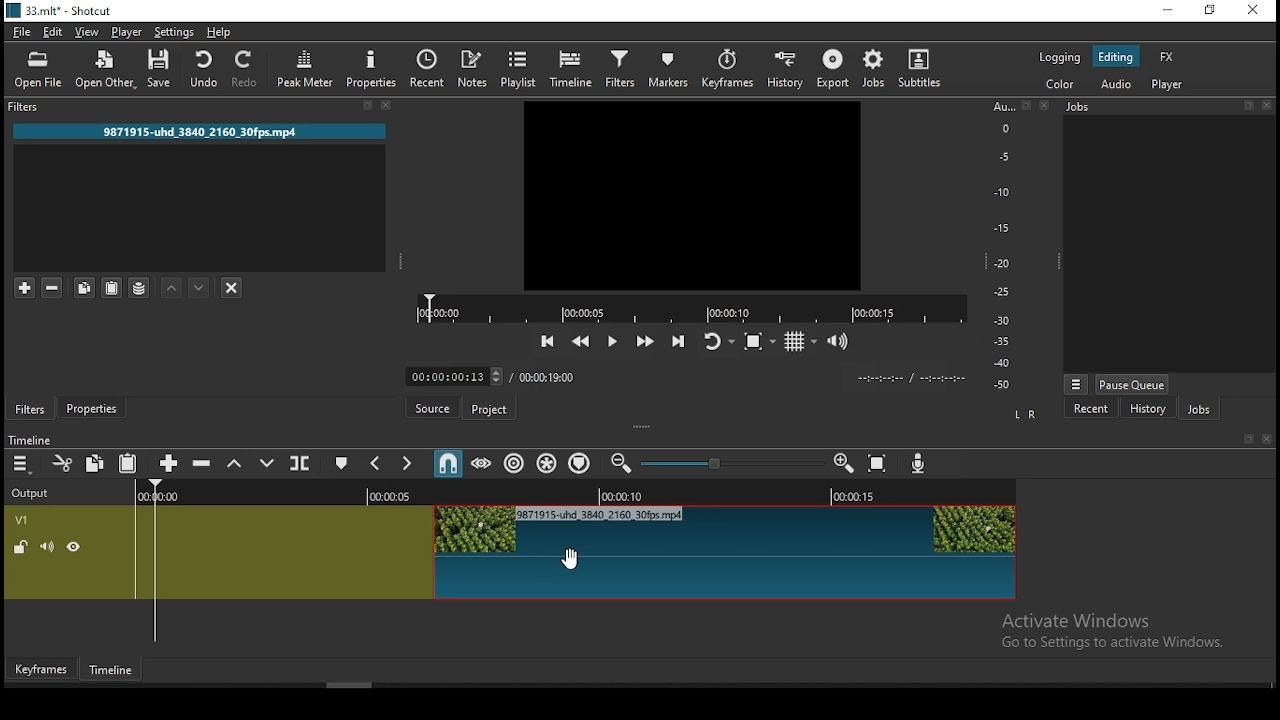  Describe the element at coordinates (63, 11) in the screenshot. I see `icon and file name` at that location.